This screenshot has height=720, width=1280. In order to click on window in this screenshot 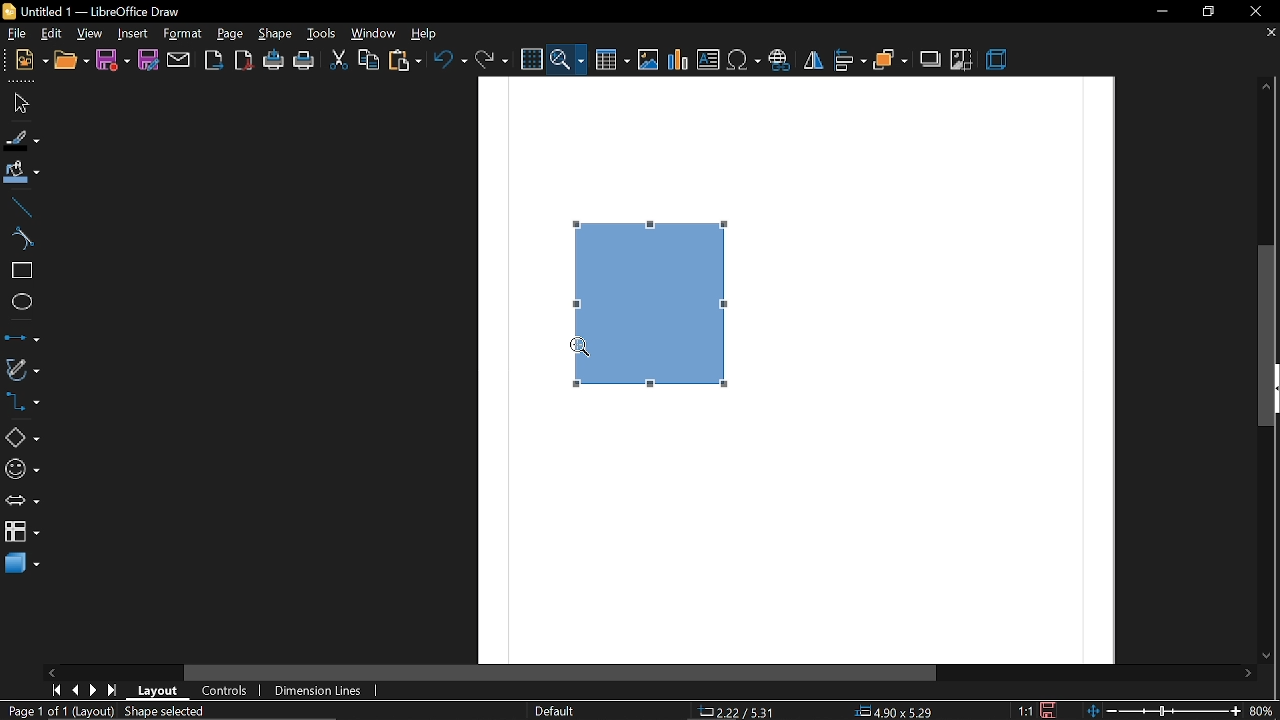, I will do `click(374, 34)`.